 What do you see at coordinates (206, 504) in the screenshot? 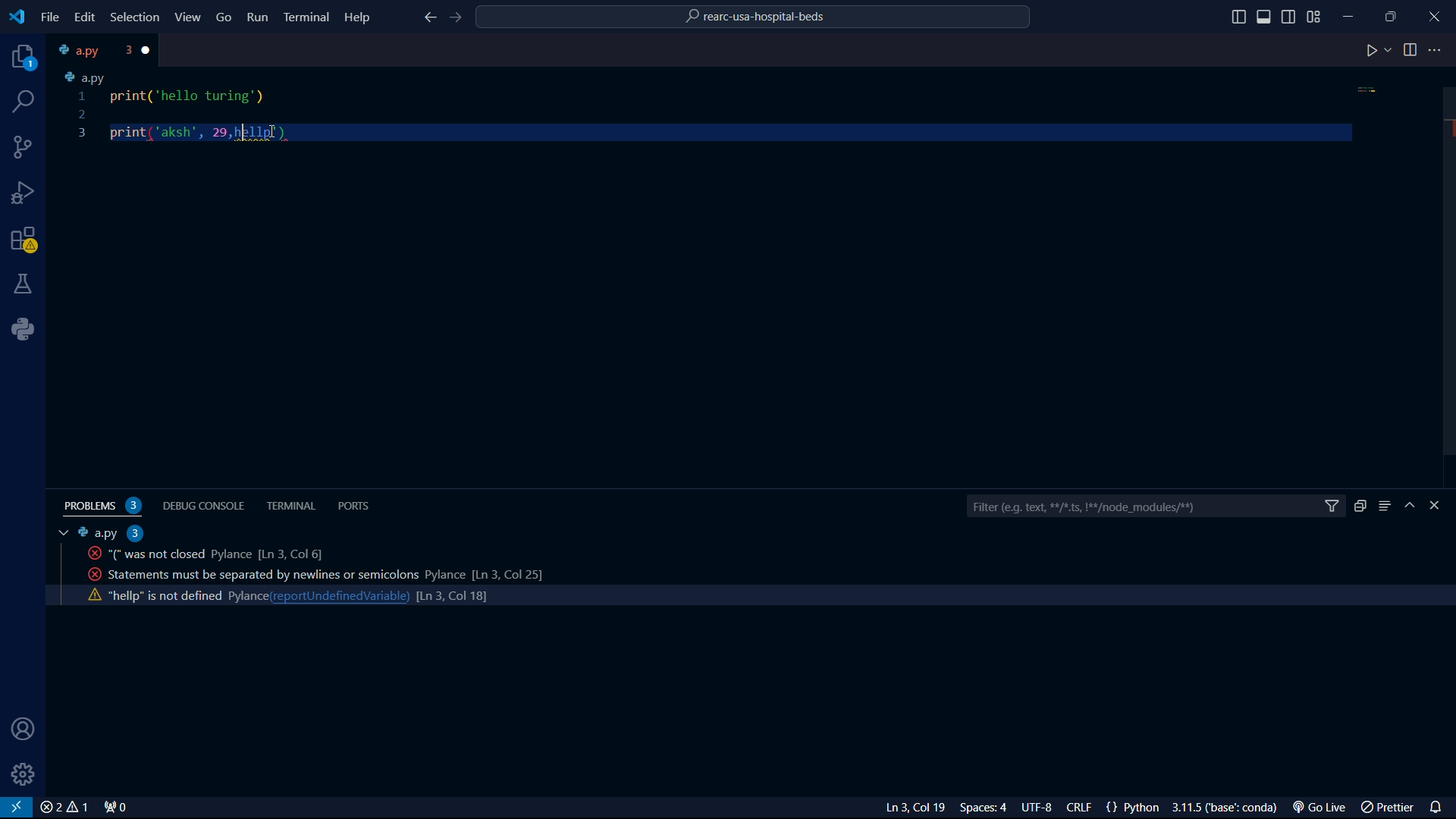
I see `debug console` at bounding box center [206, 504].